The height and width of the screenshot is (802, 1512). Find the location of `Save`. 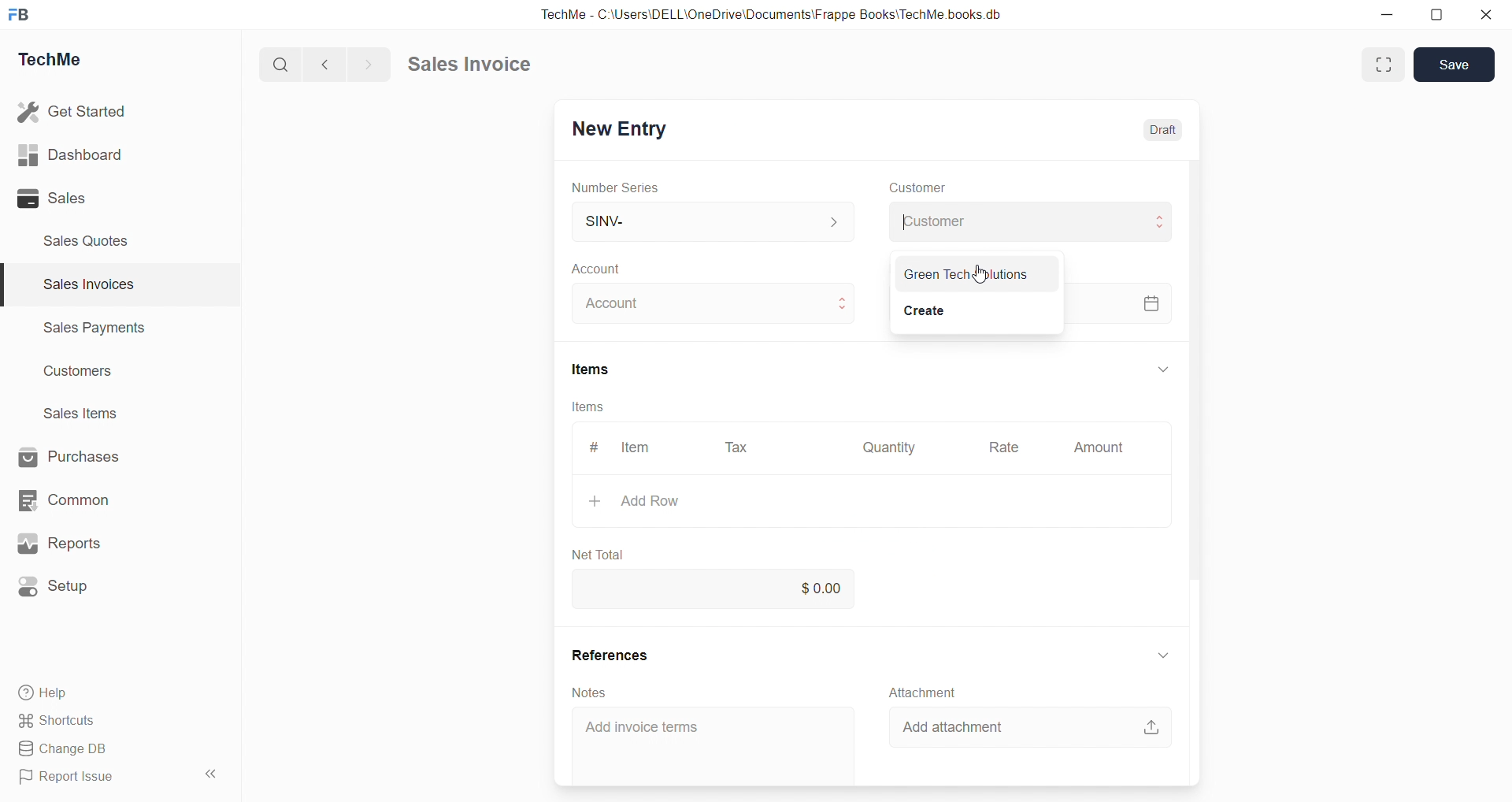

Save is located at coordinates (1455, 64).